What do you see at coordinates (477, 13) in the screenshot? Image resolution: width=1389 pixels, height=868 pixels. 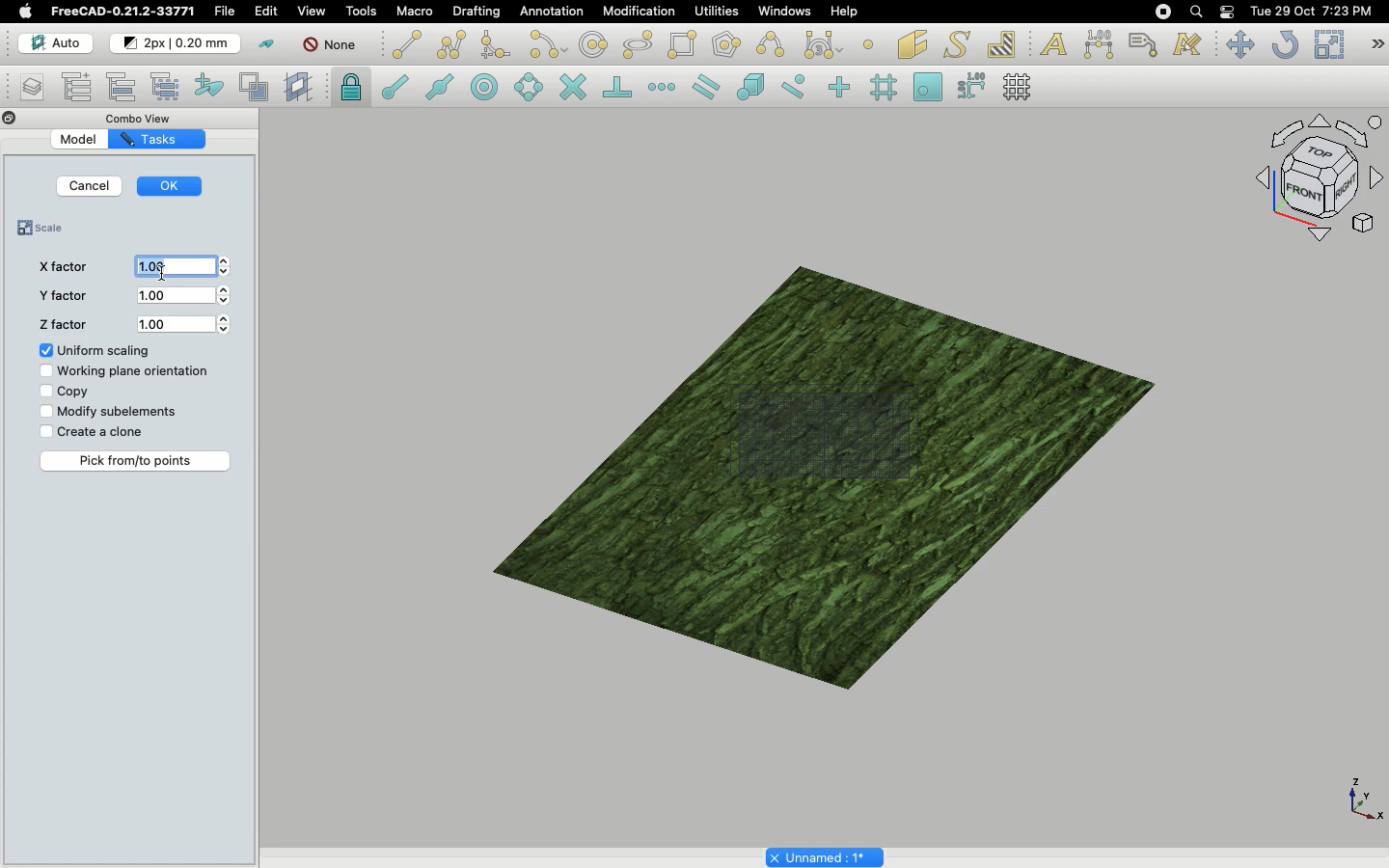 I see `Drafting` at bounding box center [477, 13].